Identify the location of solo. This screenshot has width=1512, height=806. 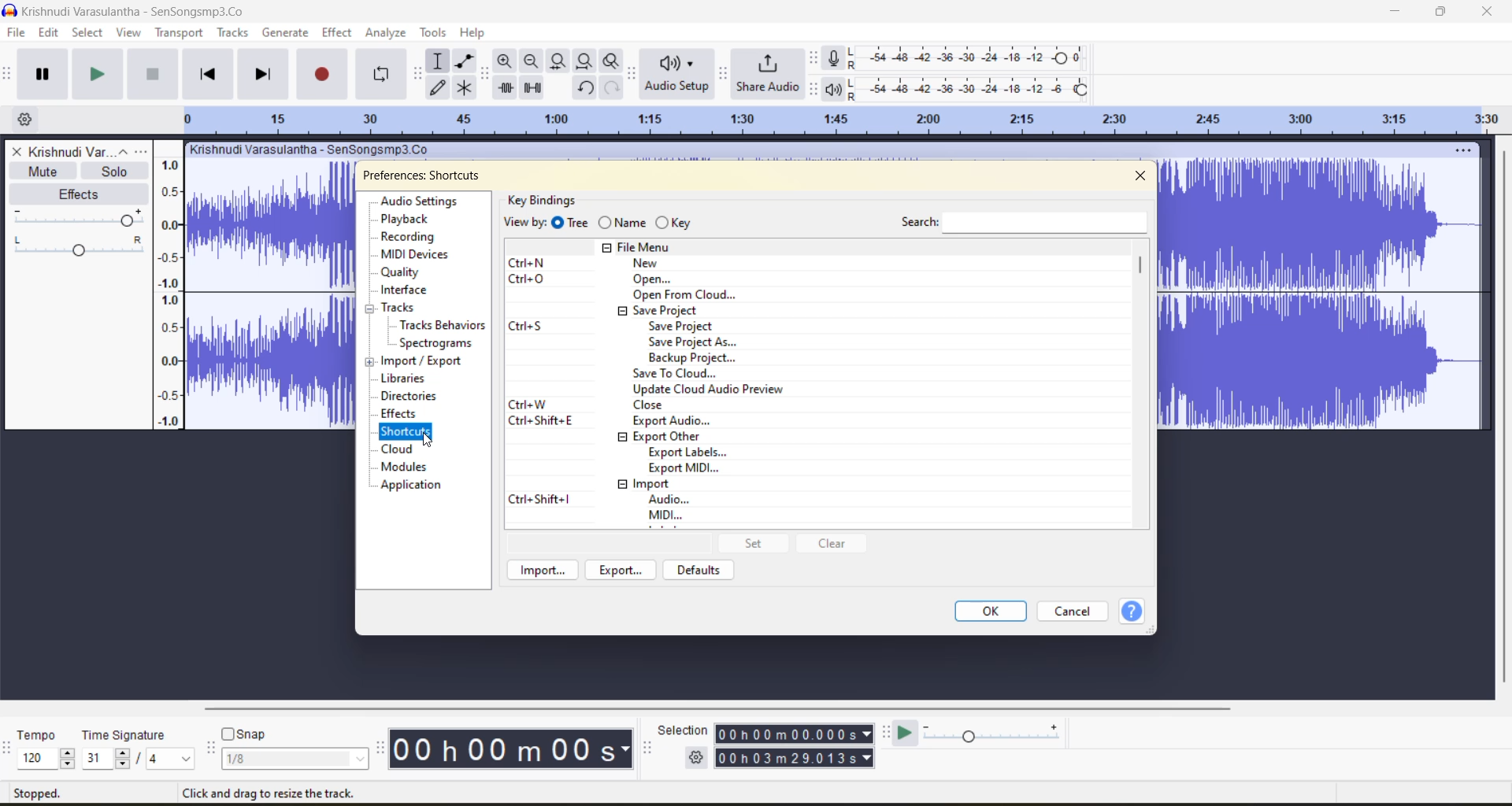
(117, 172).